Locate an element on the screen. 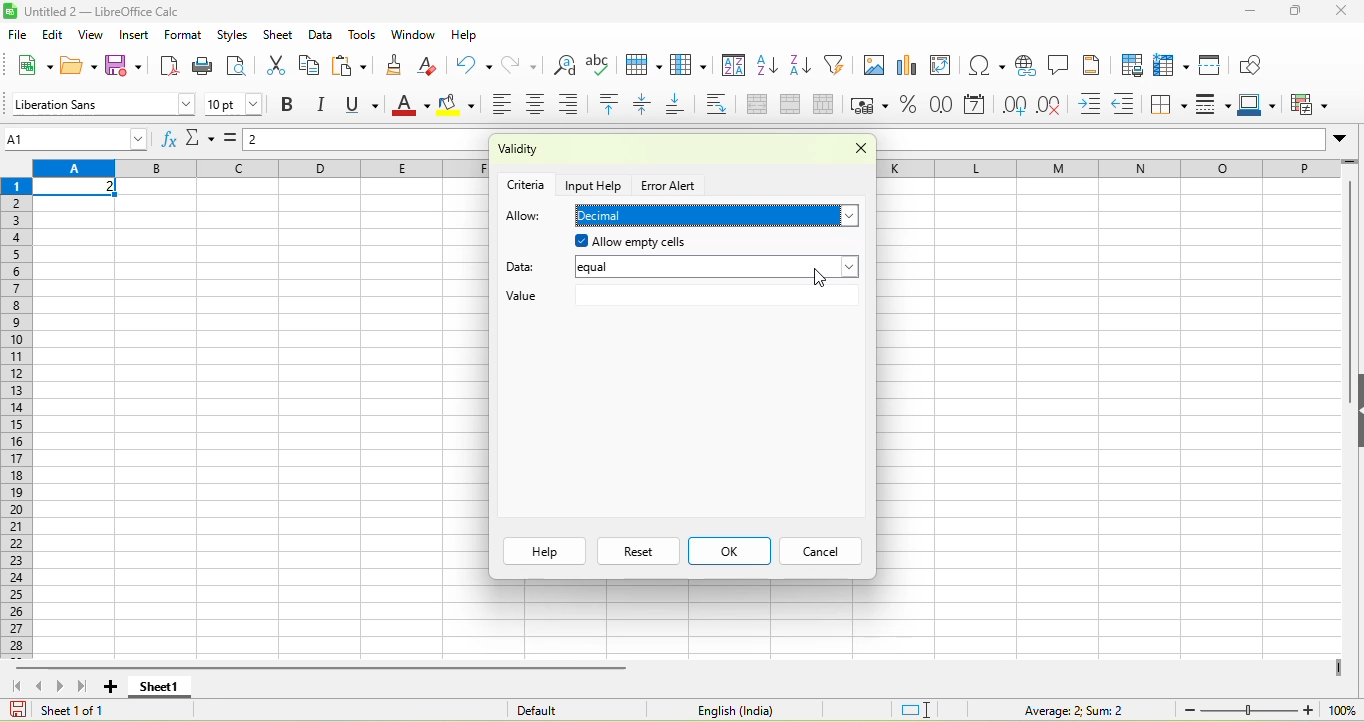 This screenshot has width=1364, height=722. formula bar is located at coordinates (368, 142).